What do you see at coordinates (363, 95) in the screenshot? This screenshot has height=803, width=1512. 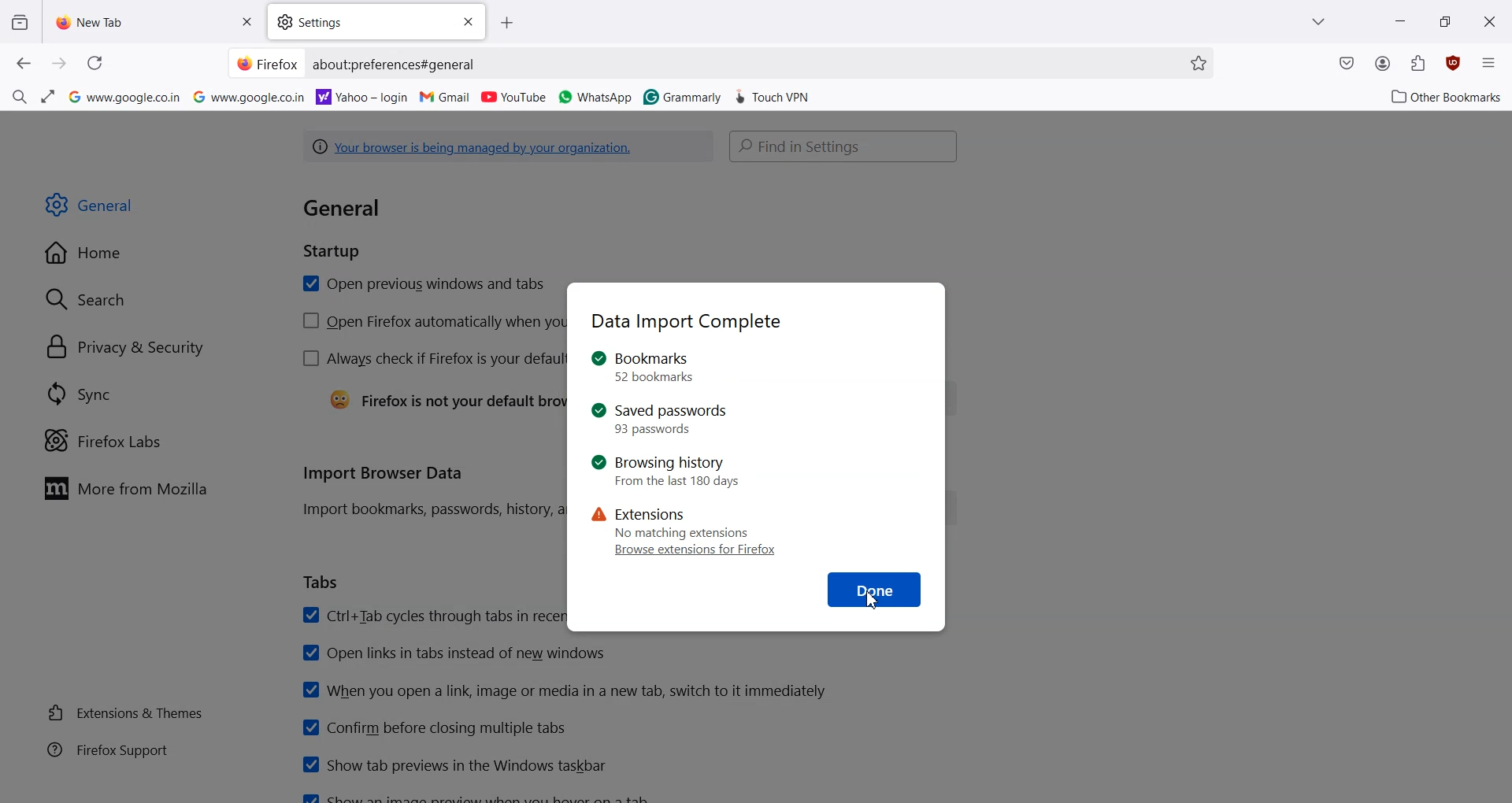 I see `Yahoo Bookmark` at bounding box center [363, 95].